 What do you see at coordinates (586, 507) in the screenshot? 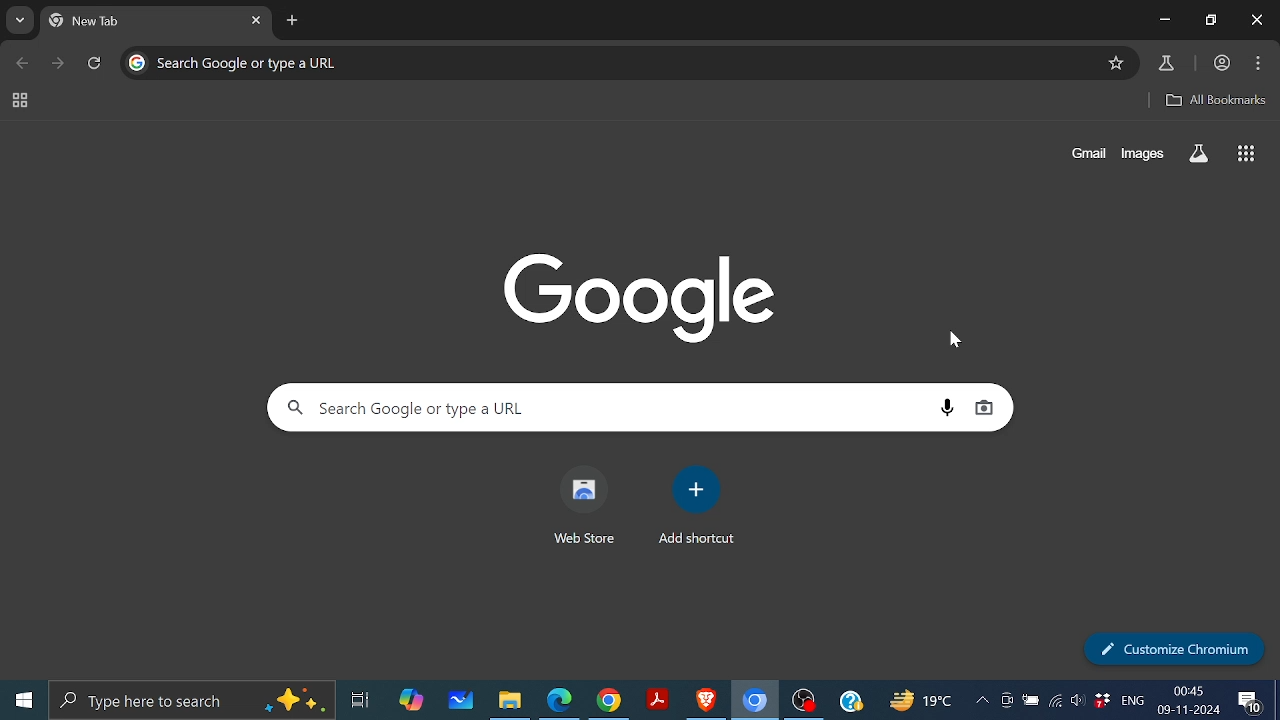
I see `Web store` at bounding box center [586, 507].